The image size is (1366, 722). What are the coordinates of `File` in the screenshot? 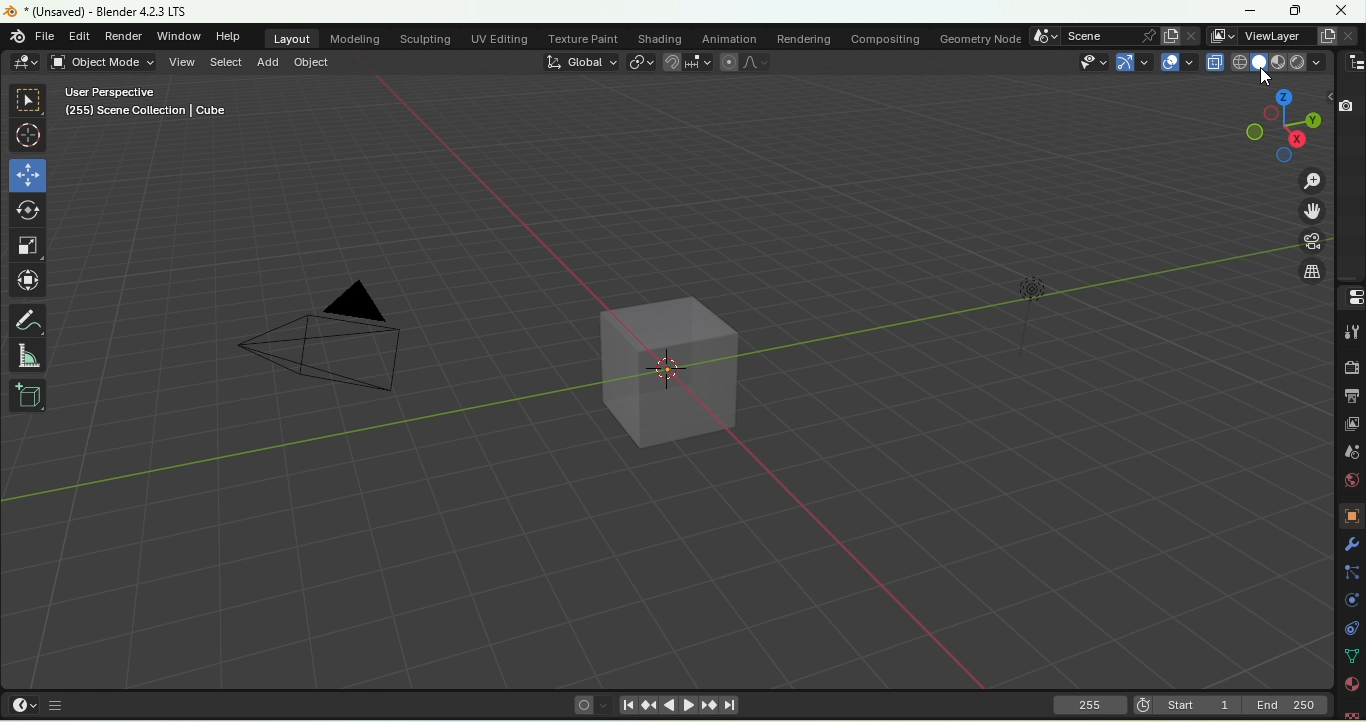 It's located at (93, 12).